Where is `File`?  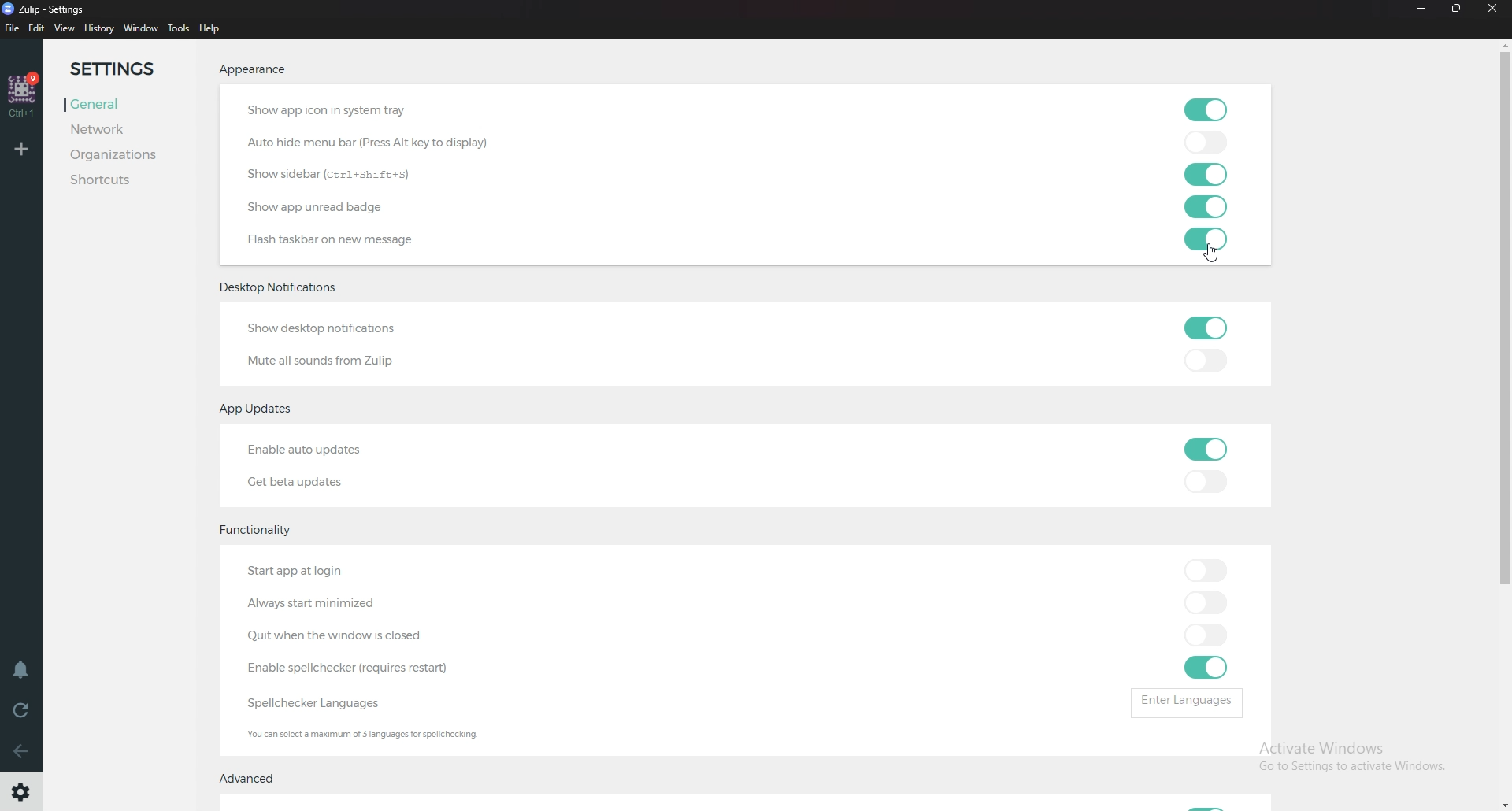 File is located at coordinates (13, 29).